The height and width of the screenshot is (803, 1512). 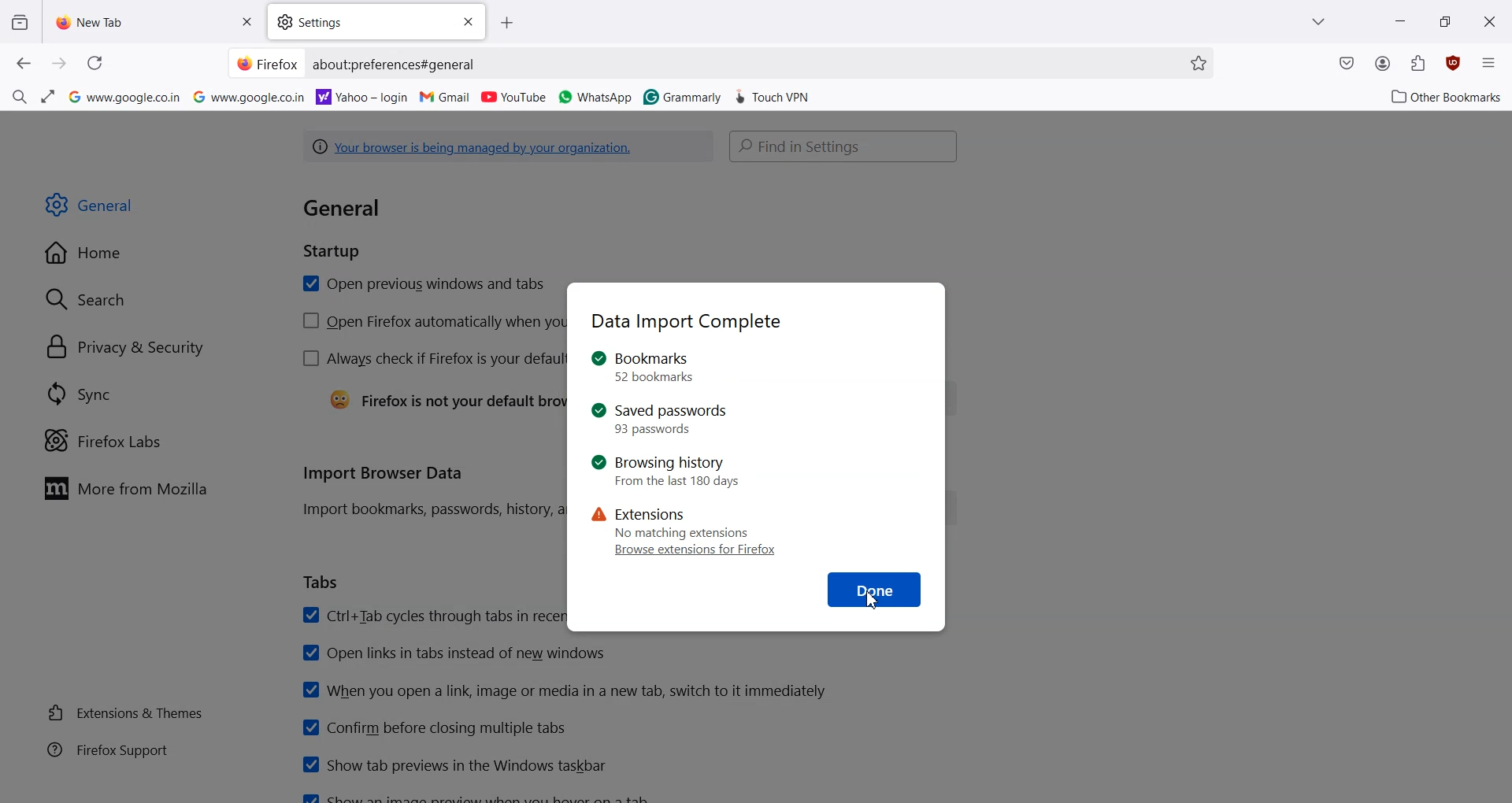 I want to click on Firefox Support, so click(x=108, y=749).